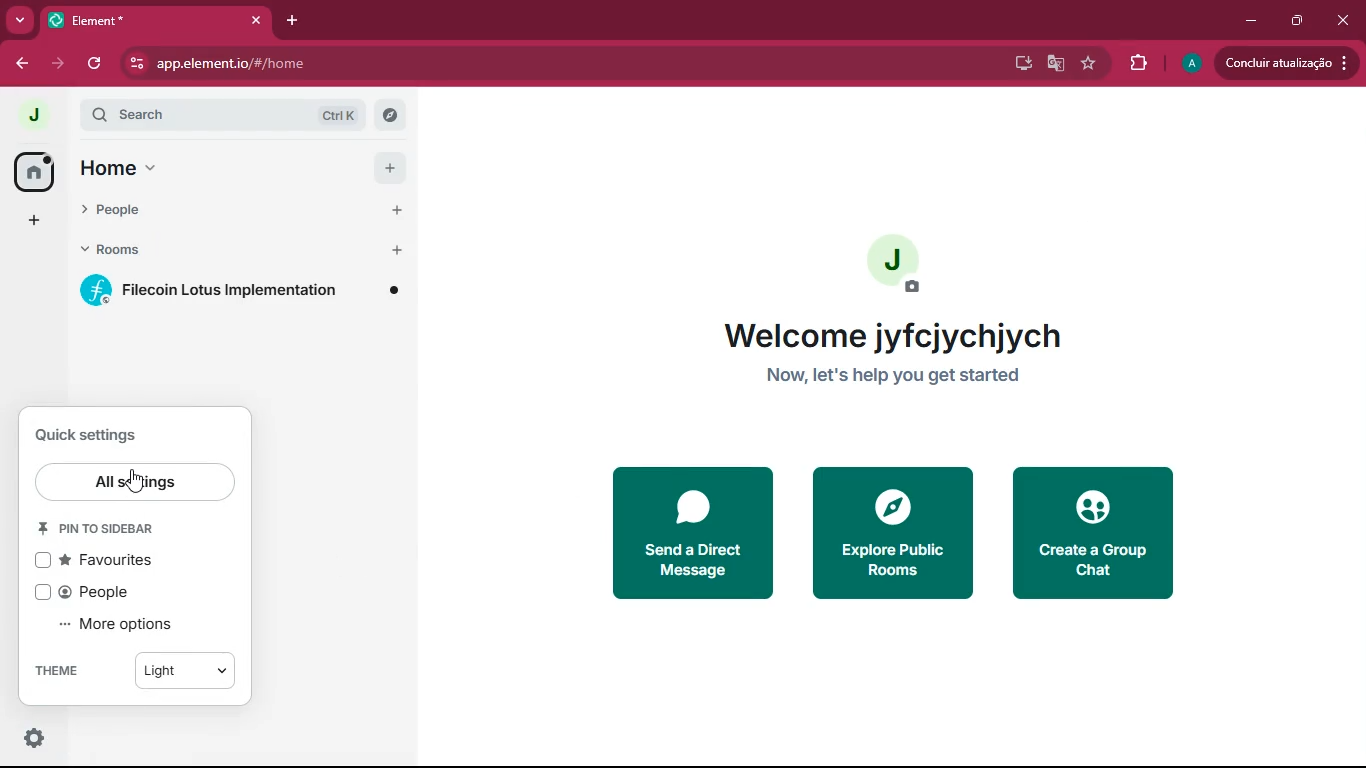  What do you see at coordinates (896, 533) in the screenshot?
I see `explore public rooms` at bounding box center [896, 533].